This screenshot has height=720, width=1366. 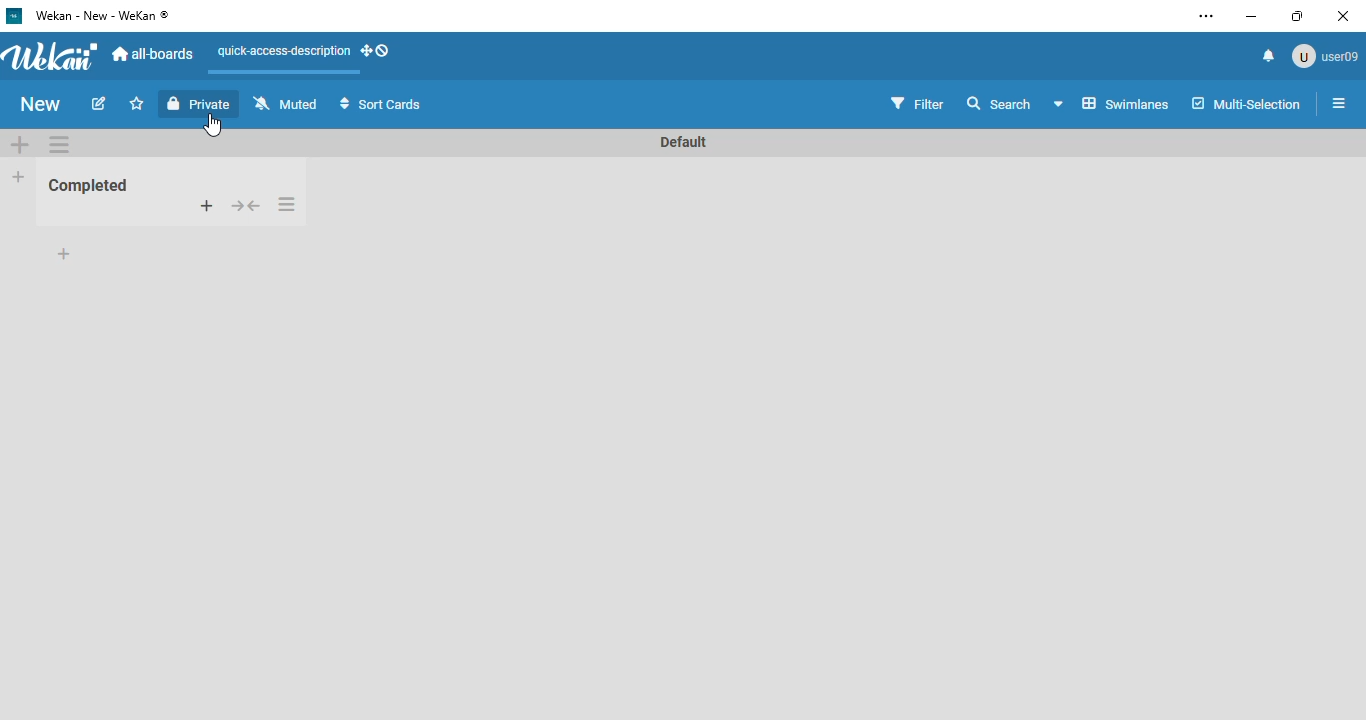 I want to click on private, so click(x=199, y=105).